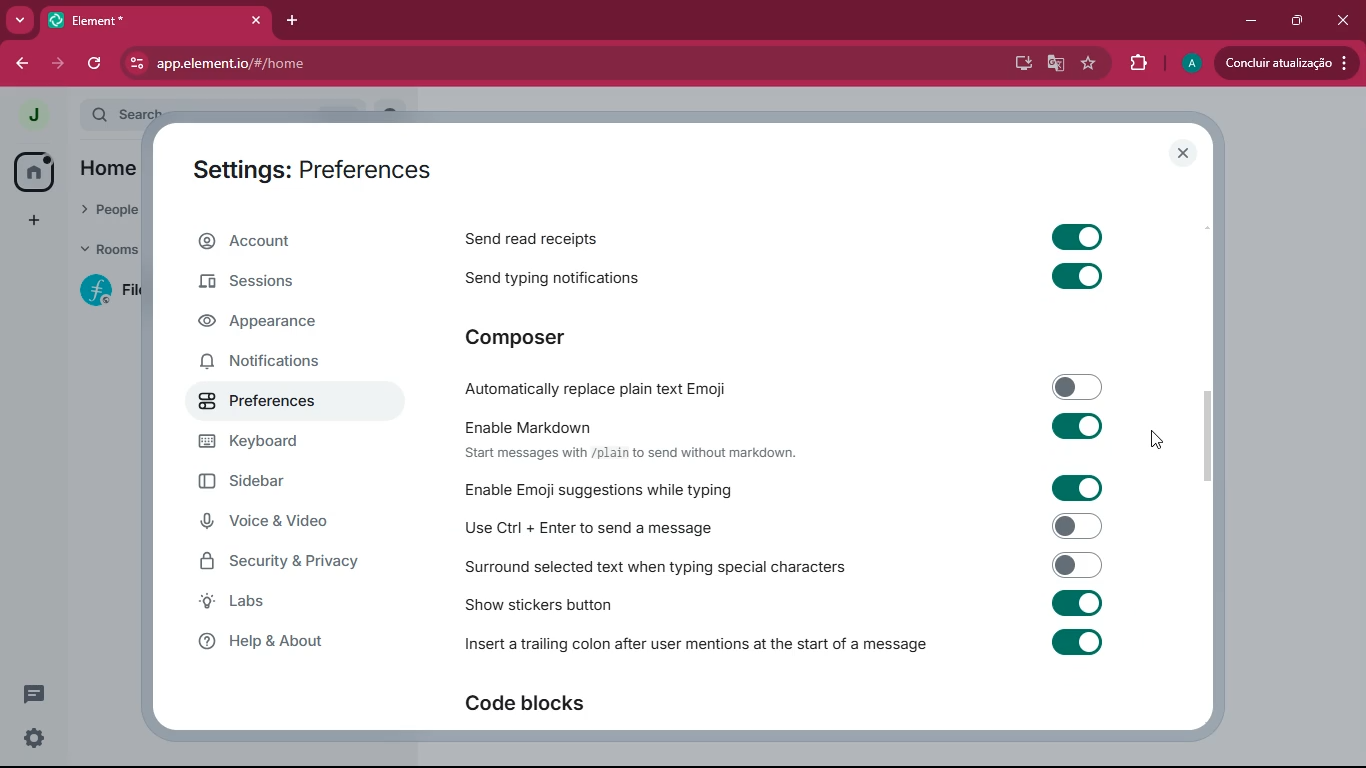  Describe the element at coordinates (1015, 63) in the screenshot. I see `desktop` at that location.